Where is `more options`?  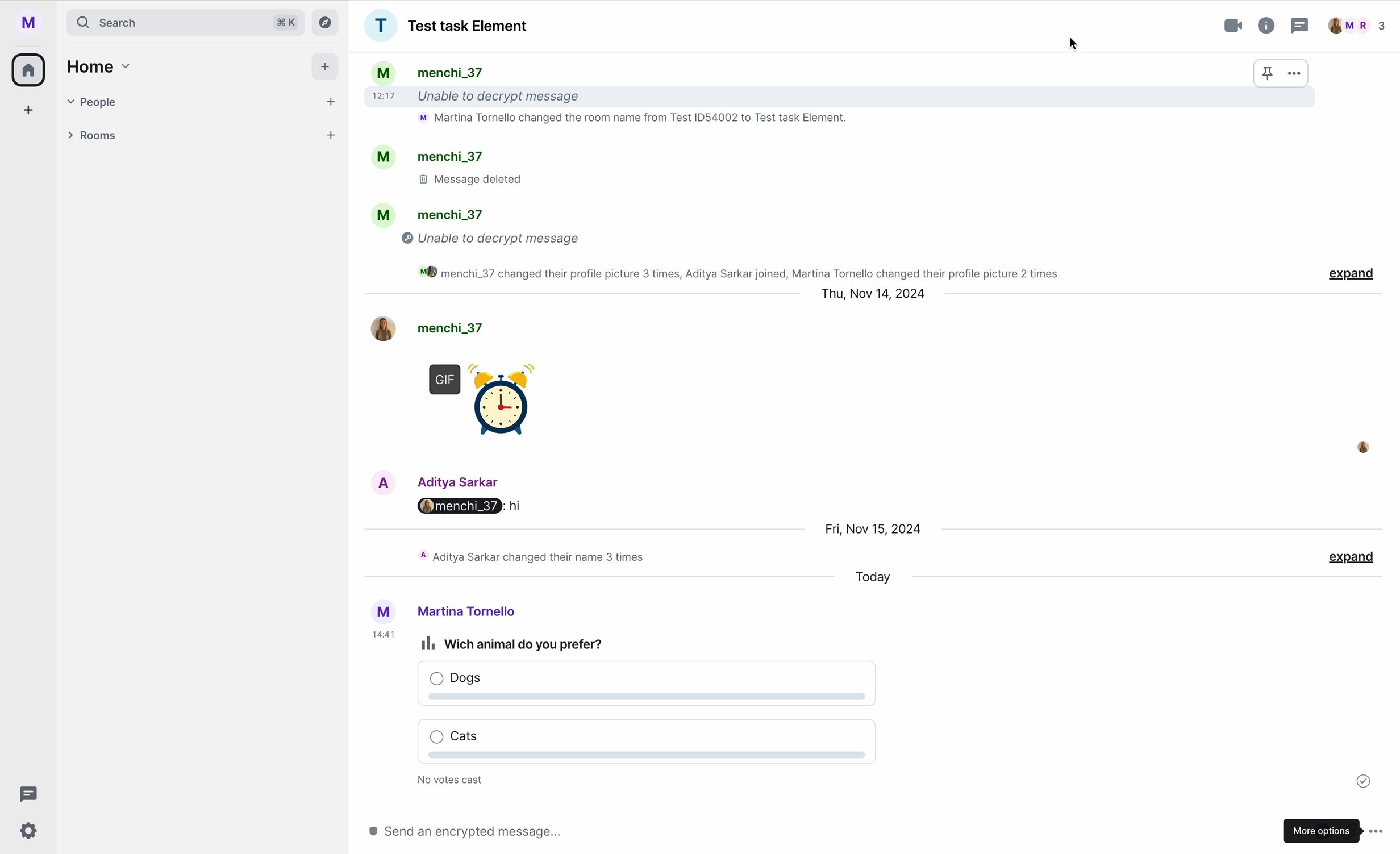 more options is located at coordinates (1336, 828).